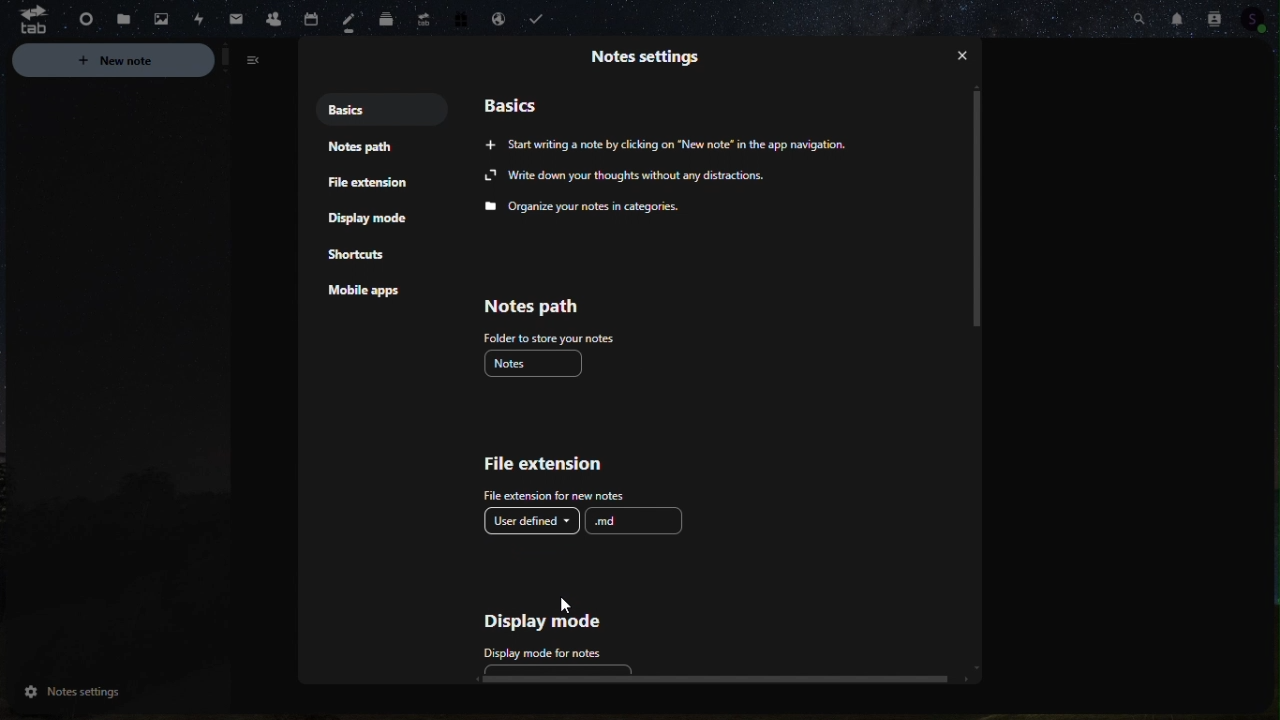 This screenshot has width=1280, height=720. Describe the element at coordinates (384, 20) in the screenshot. I see `Deck` at that location.